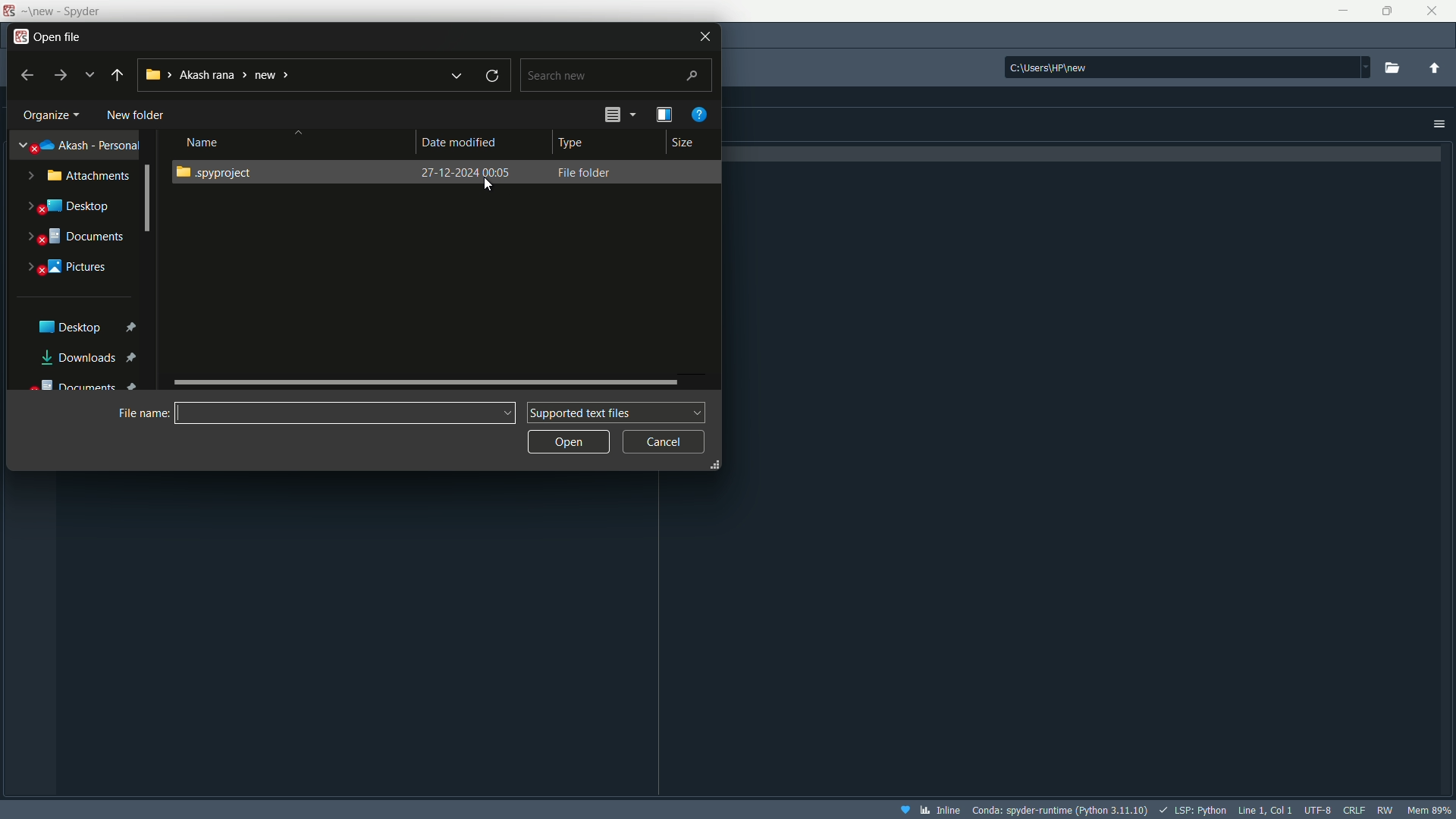 The height and width of the screenshot is (819, 1456). I want to click on File name, so click(143, 413).